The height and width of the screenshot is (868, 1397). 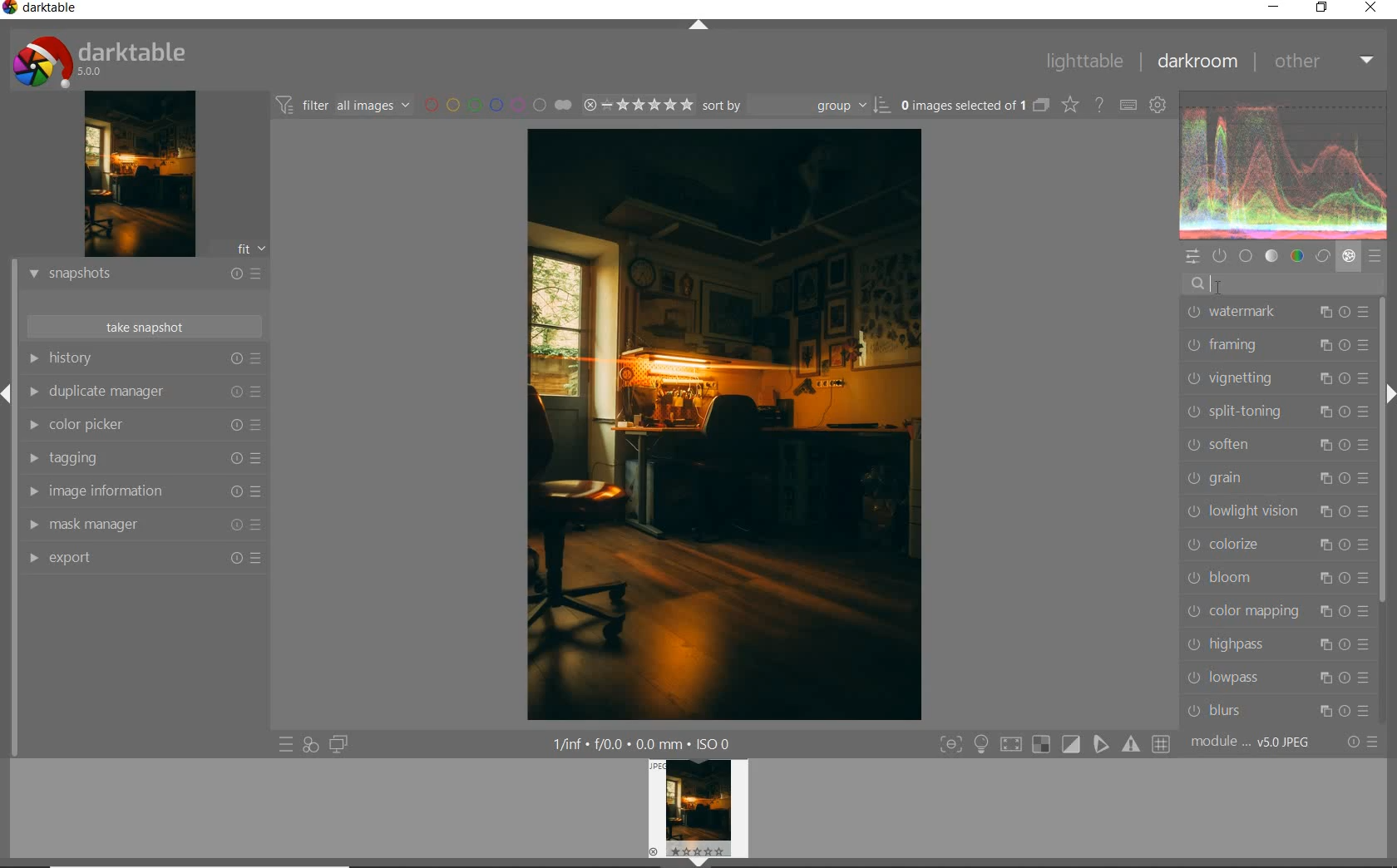 I want to click on show global preferences, so click(x=1158, y=106).